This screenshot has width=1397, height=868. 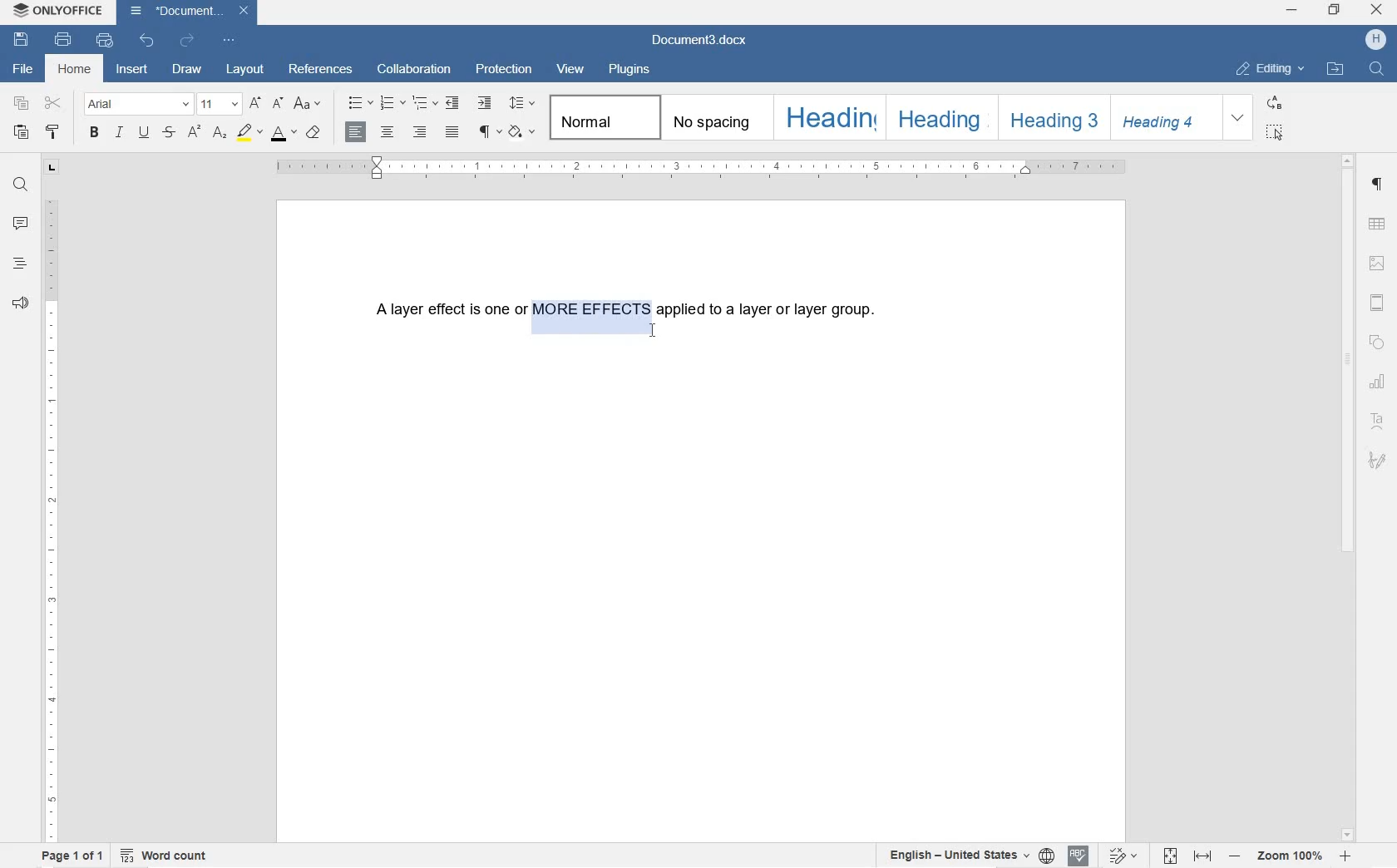 I want to click on BOLD, so click(x=95, y=134).